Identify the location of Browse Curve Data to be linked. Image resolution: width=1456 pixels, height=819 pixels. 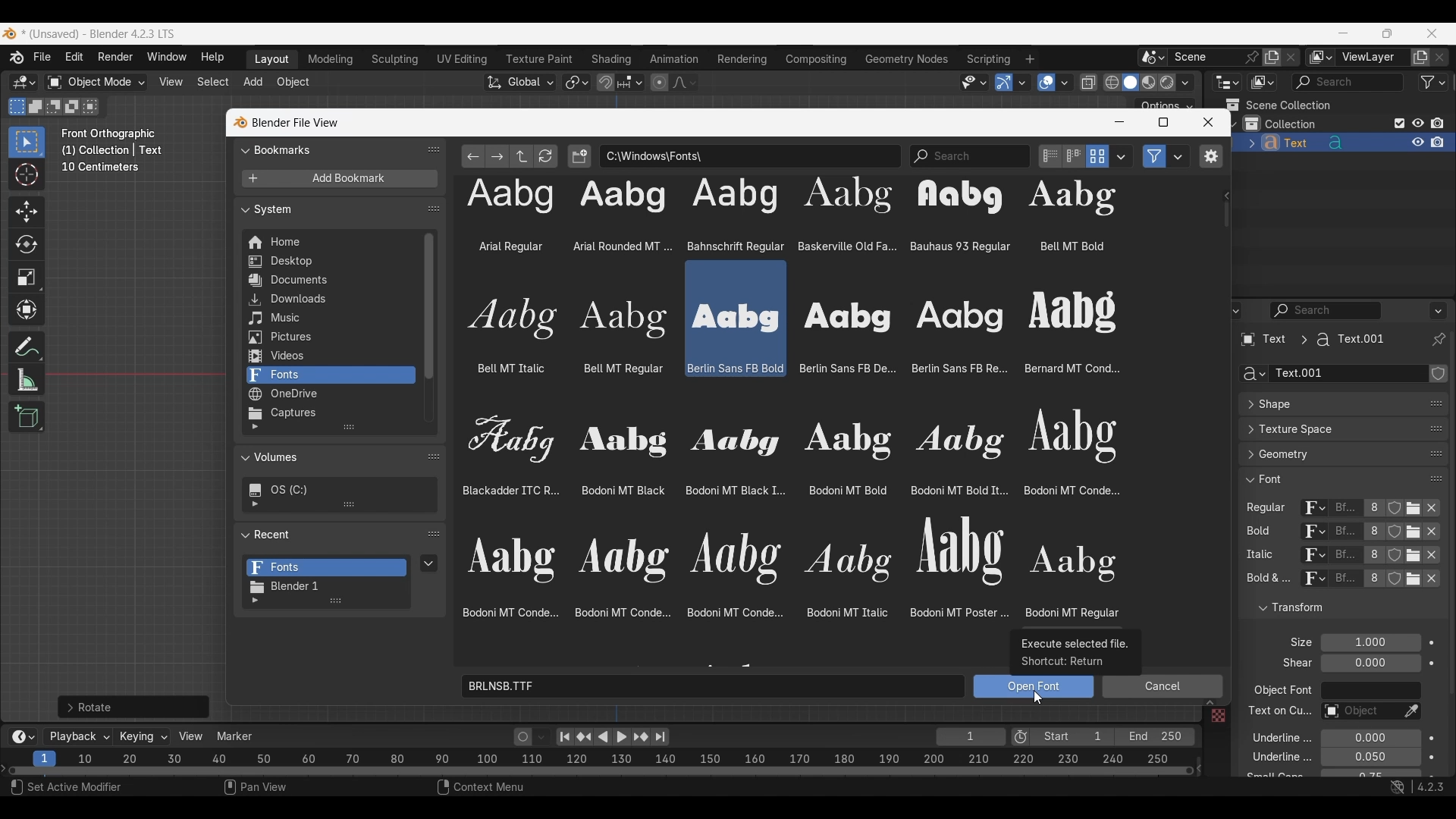
(1254, 374).